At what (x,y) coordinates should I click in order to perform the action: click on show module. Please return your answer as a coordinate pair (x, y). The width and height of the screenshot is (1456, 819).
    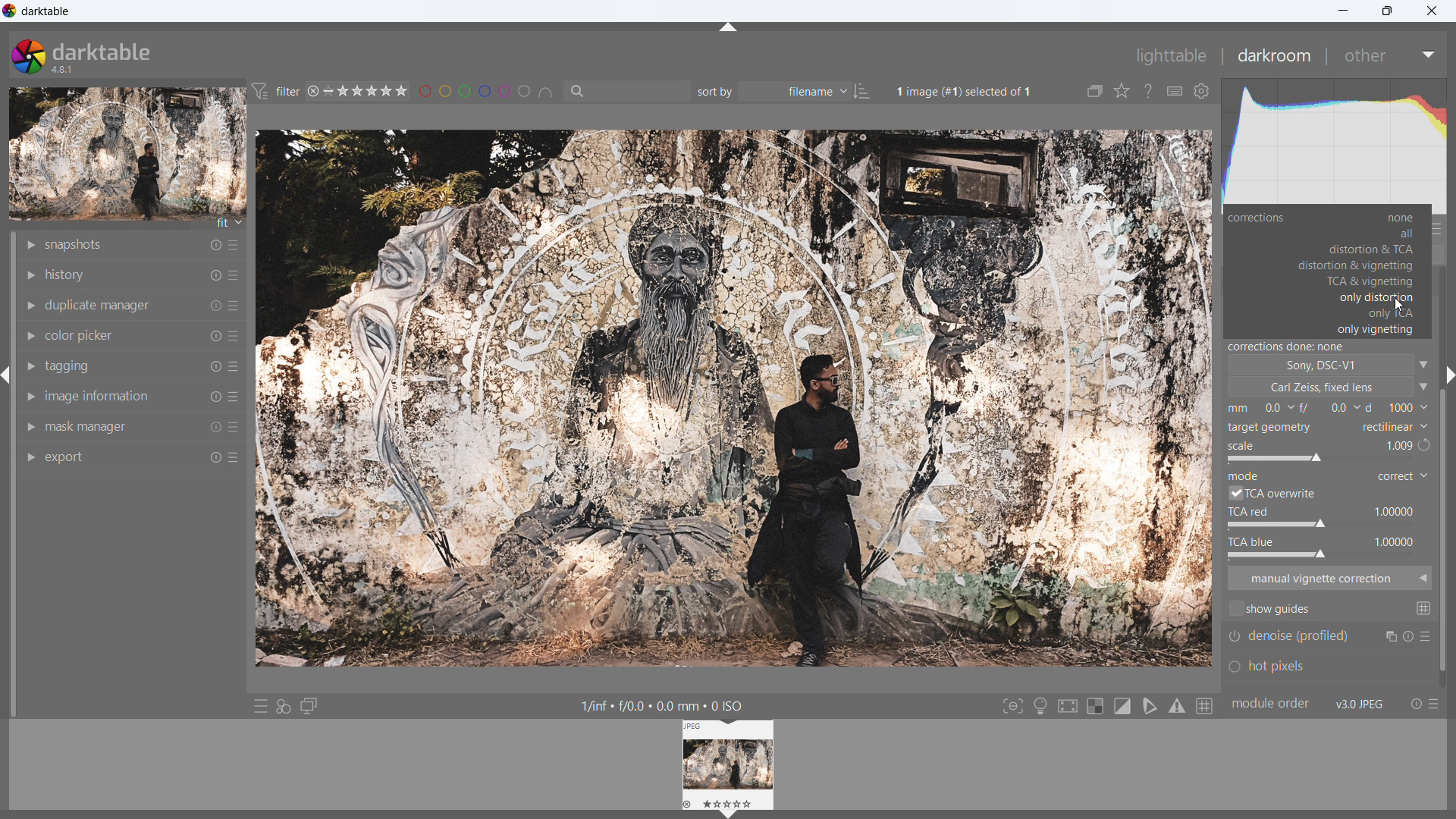
    Looking at the image, I should click on (31, 428).